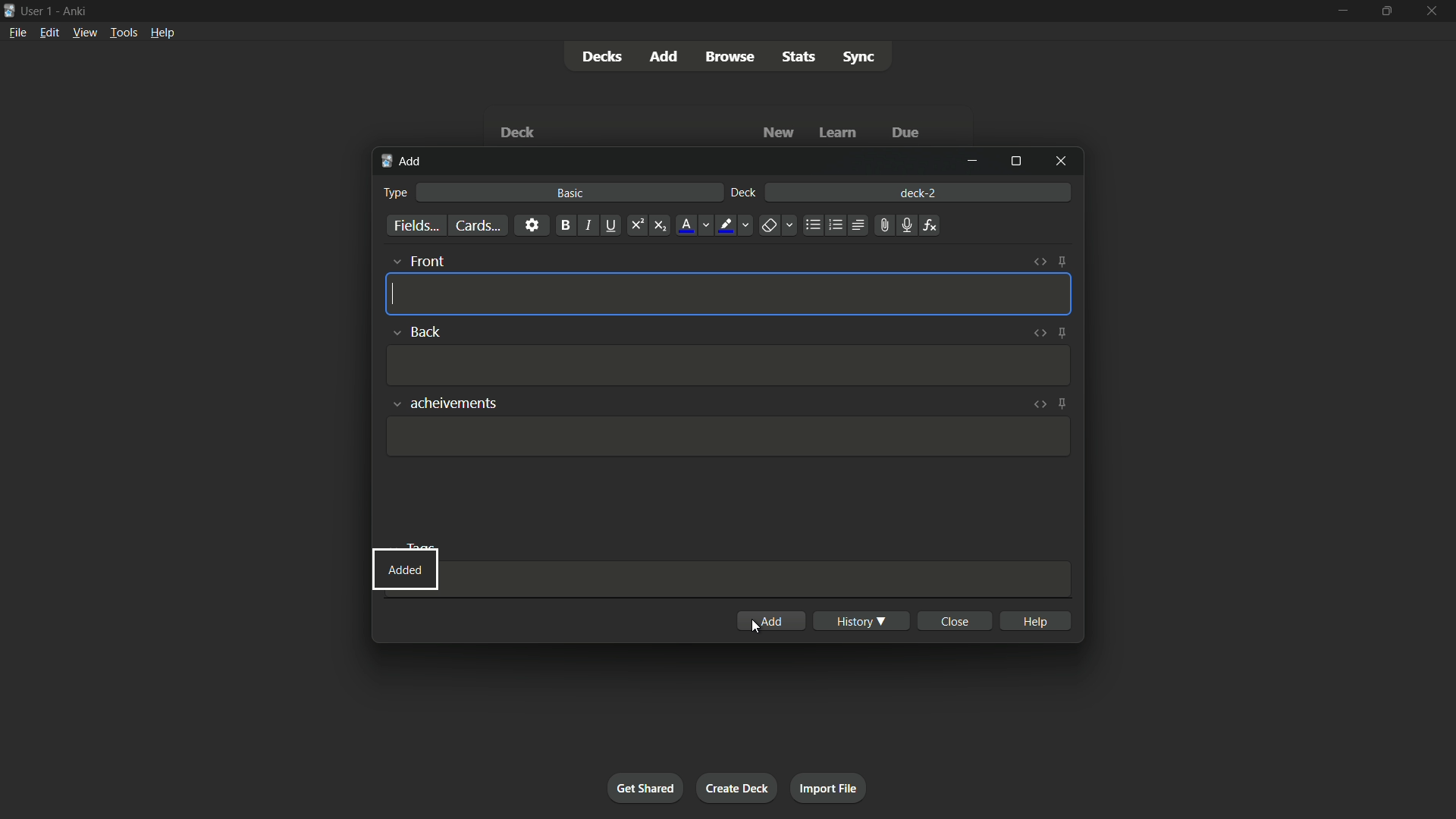 This screenshot has width=1456, height=819. What do you see at coordinates (859, 621) in the screenshot?
I see `history` at bounding box center [859, 621].